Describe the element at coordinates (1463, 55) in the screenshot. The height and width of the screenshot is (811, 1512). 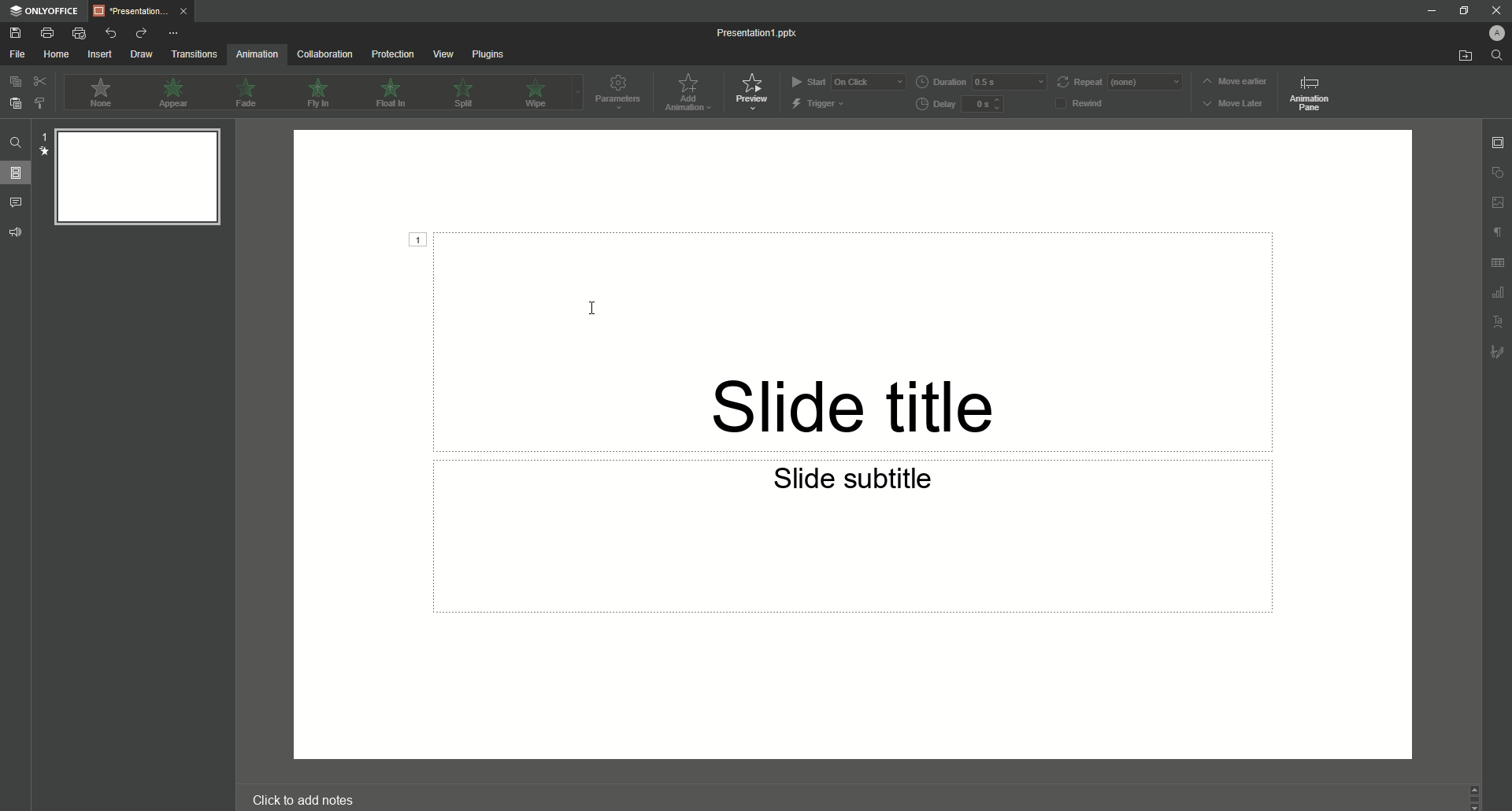
I see `Open From File` at that location.